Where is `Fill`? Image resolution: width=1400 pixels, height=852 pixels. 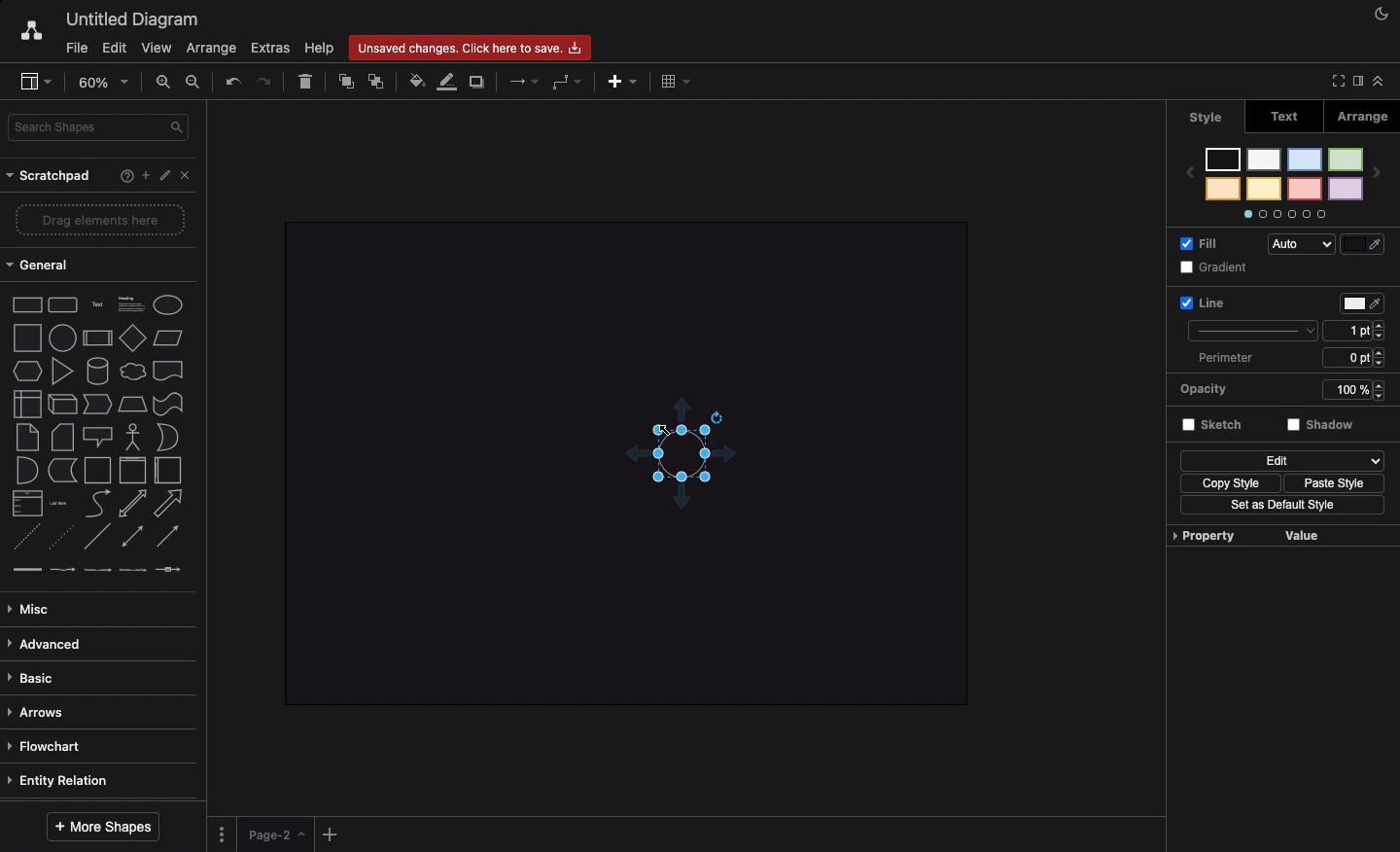 Fill is located at coordinates (1203, 242).